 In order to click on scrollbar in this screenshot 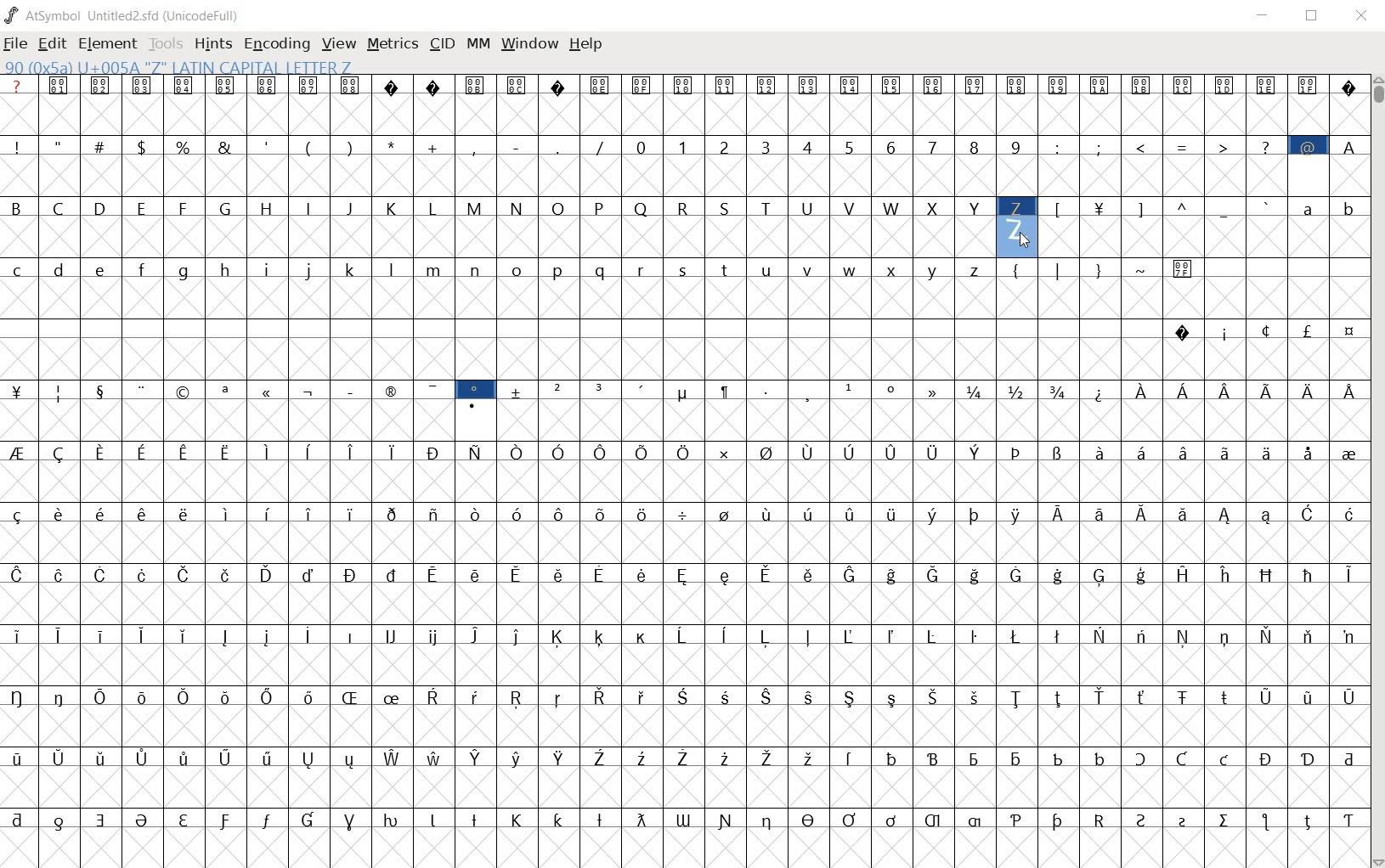, I will do `click(1377, 470)`.